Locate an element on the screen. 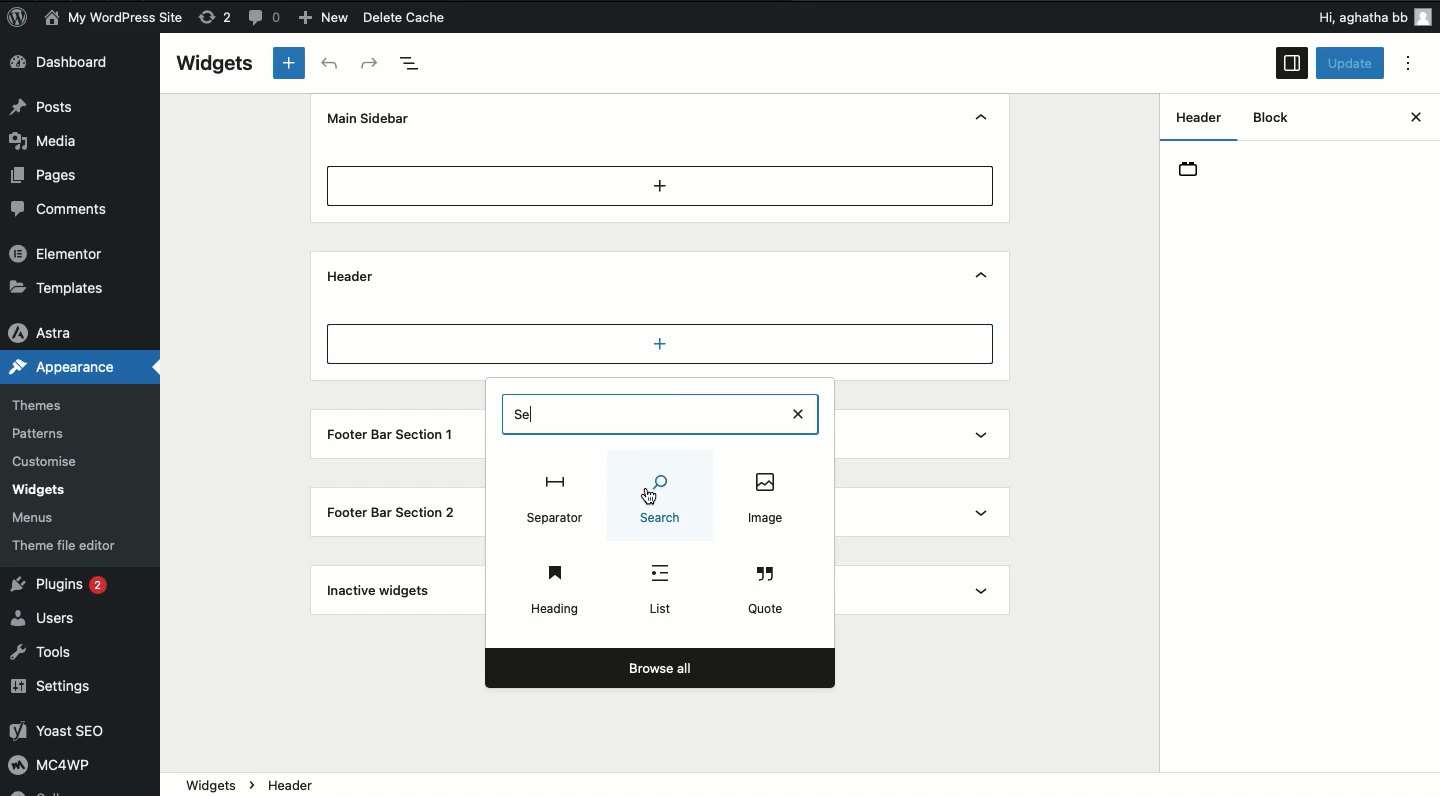 This screenshot has width=1440, height=796. Heading is located at coordinates (555, 586).